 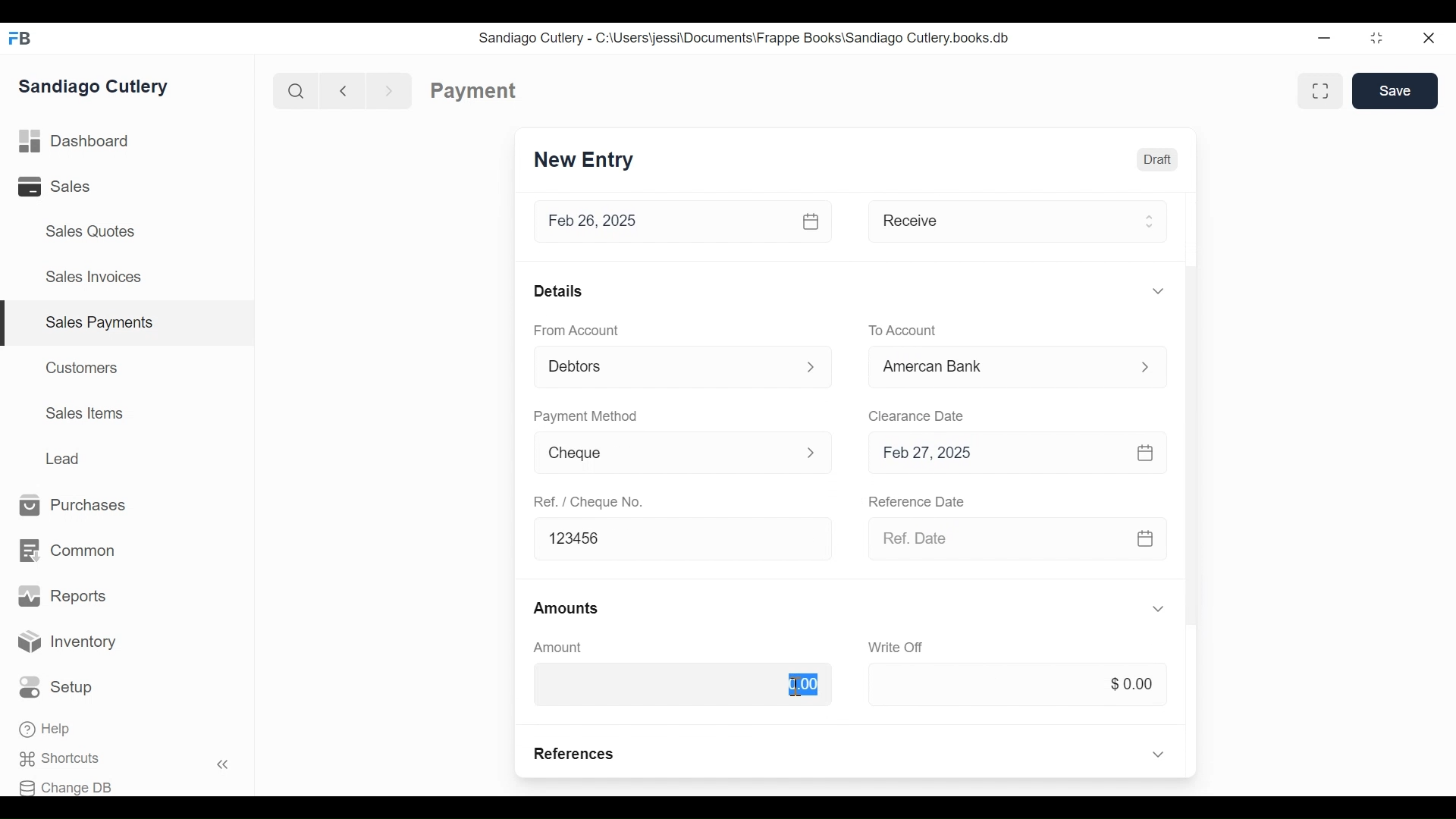 What do you see at coordinates (917, 415) in the screenshot?
I see `Clearance Date` at bounding box center [917, 415].